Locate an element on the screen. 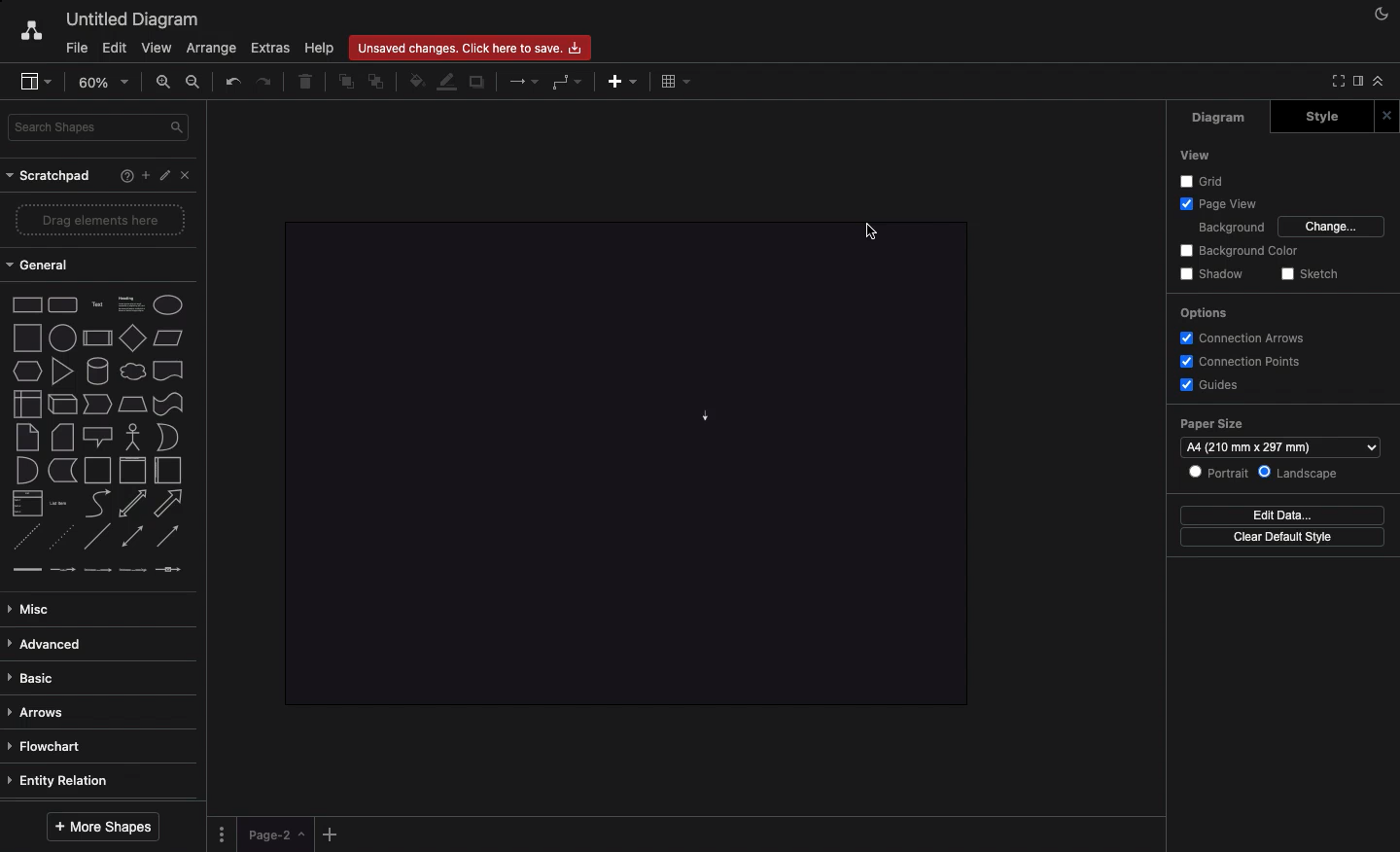 This screenshot has height=852, width=1400. Landscape is located at coordinates (1299, 474).